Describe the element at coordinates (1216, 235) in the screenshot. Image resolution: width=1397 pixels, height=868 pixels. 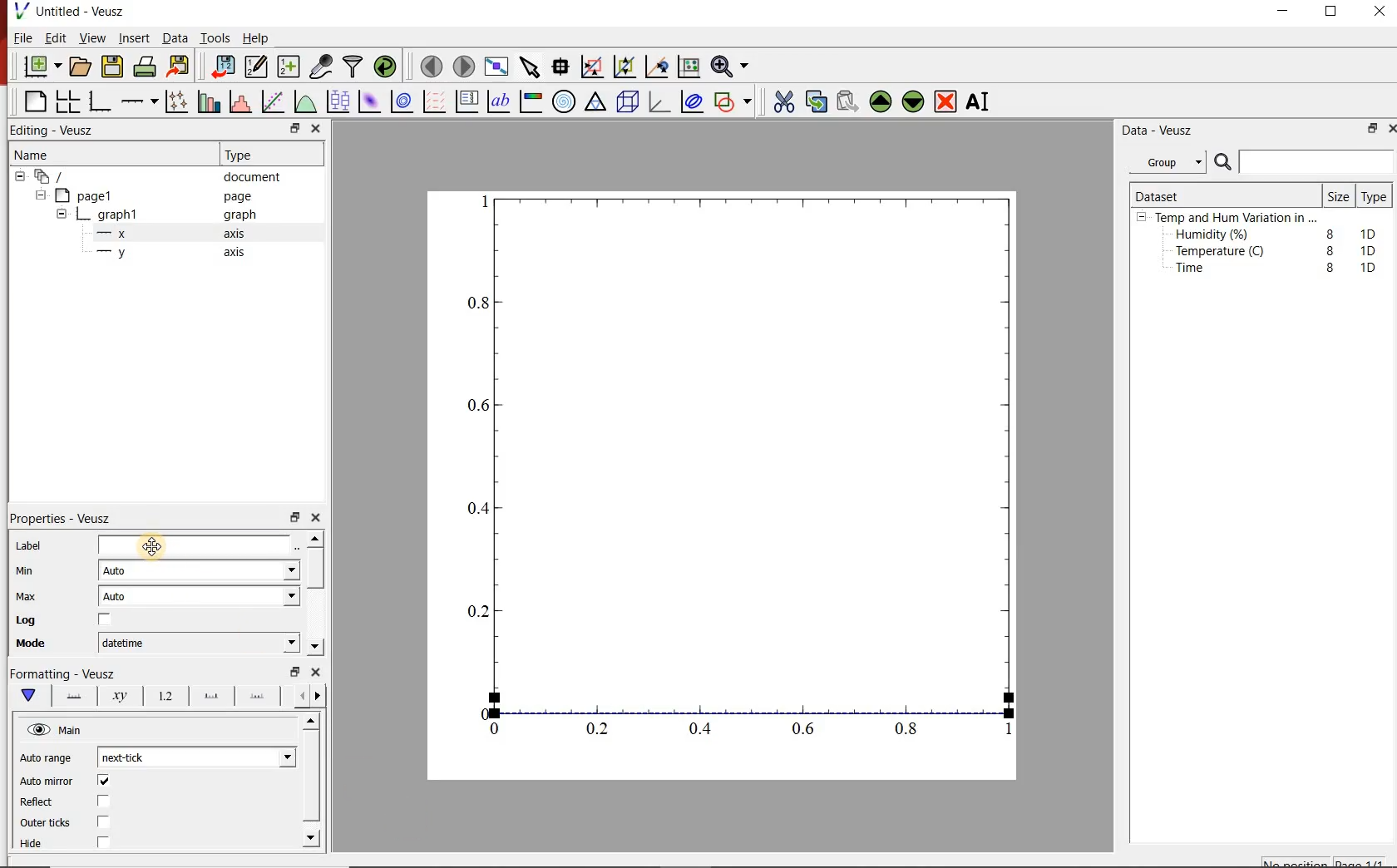
I see `Humidity (%)` at that location.